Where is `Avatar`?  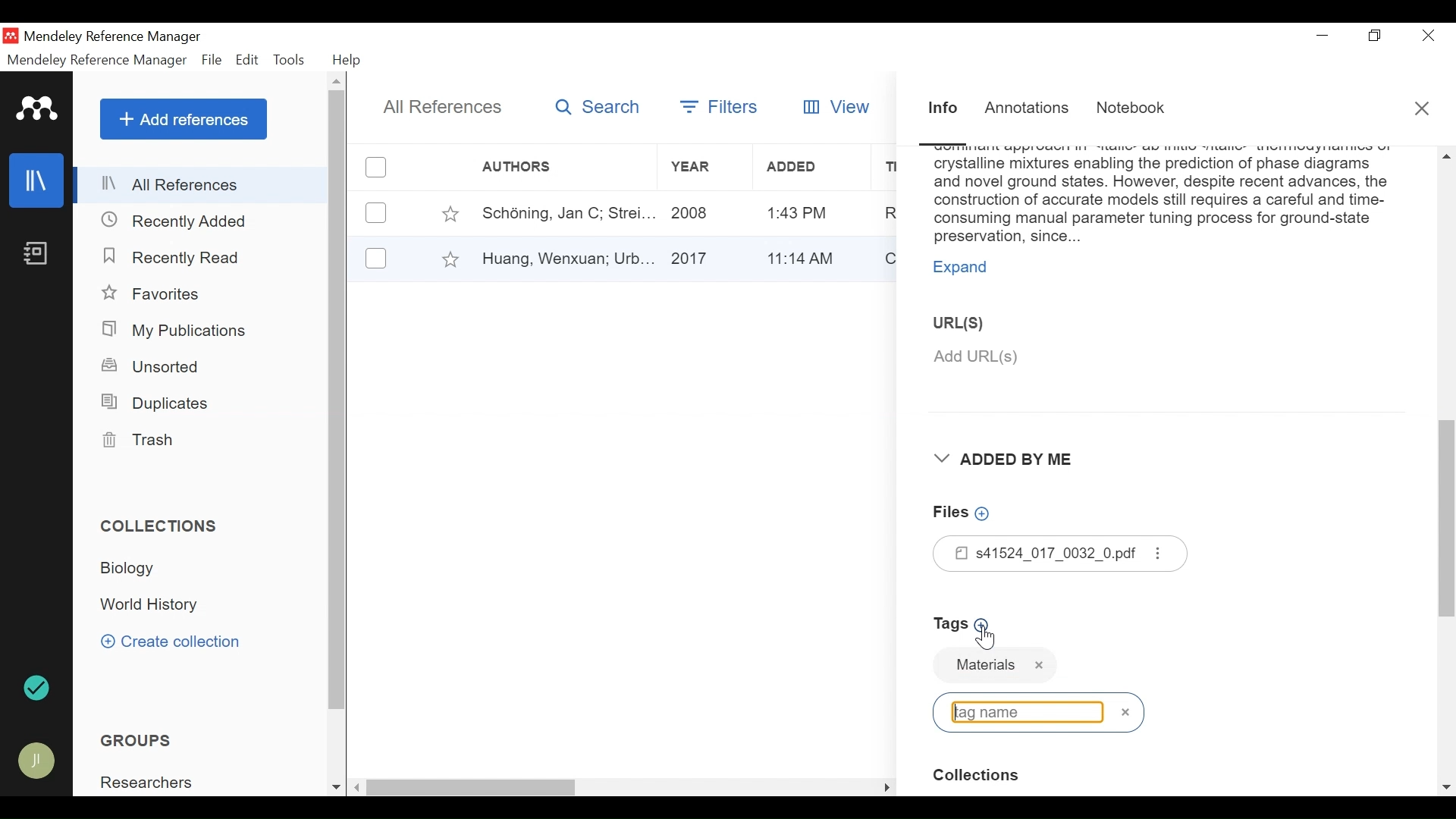
Avatar is located at coordinates (37, 761).